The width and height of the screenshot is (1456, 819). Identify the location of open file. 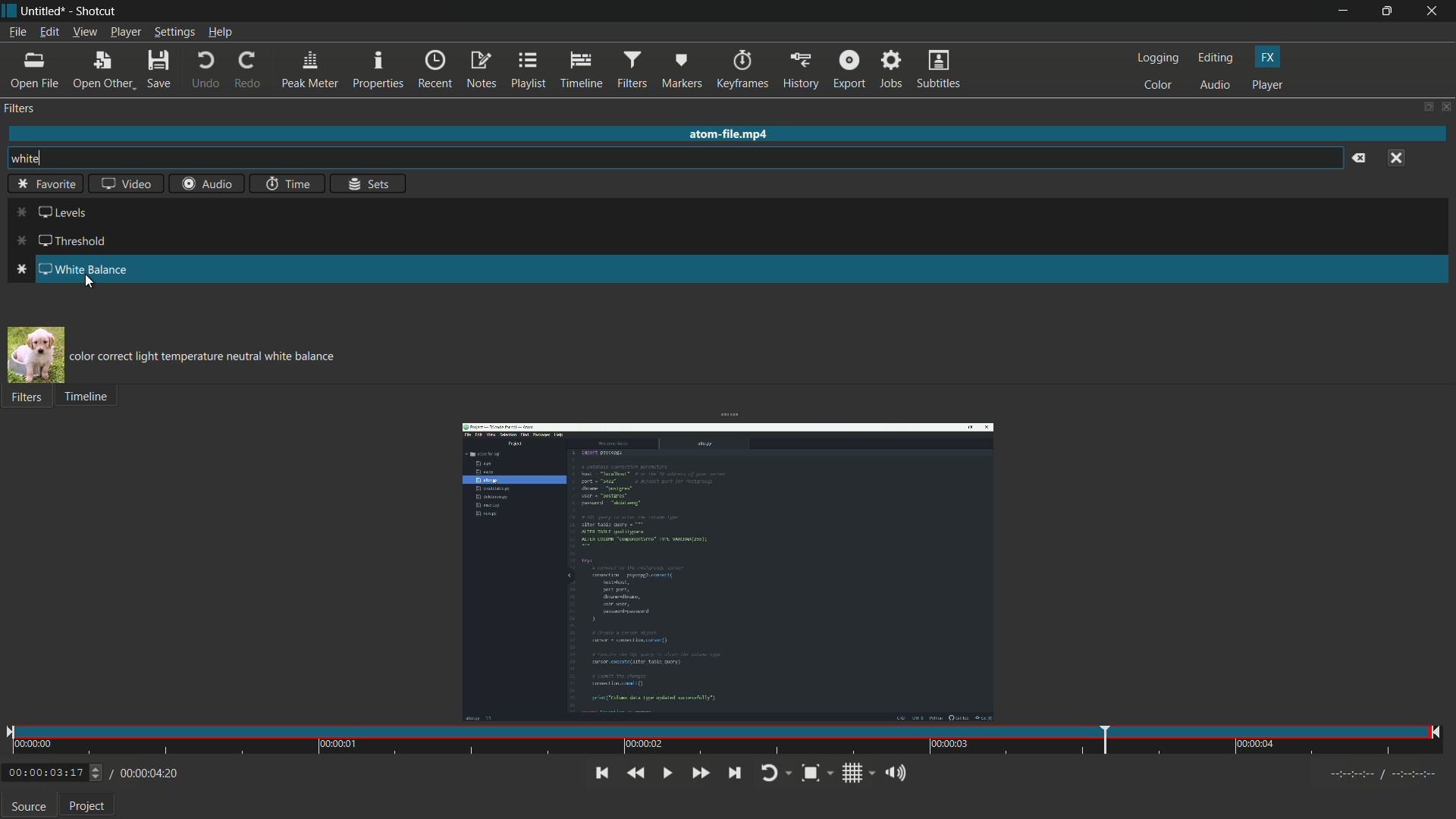
(36, 70).